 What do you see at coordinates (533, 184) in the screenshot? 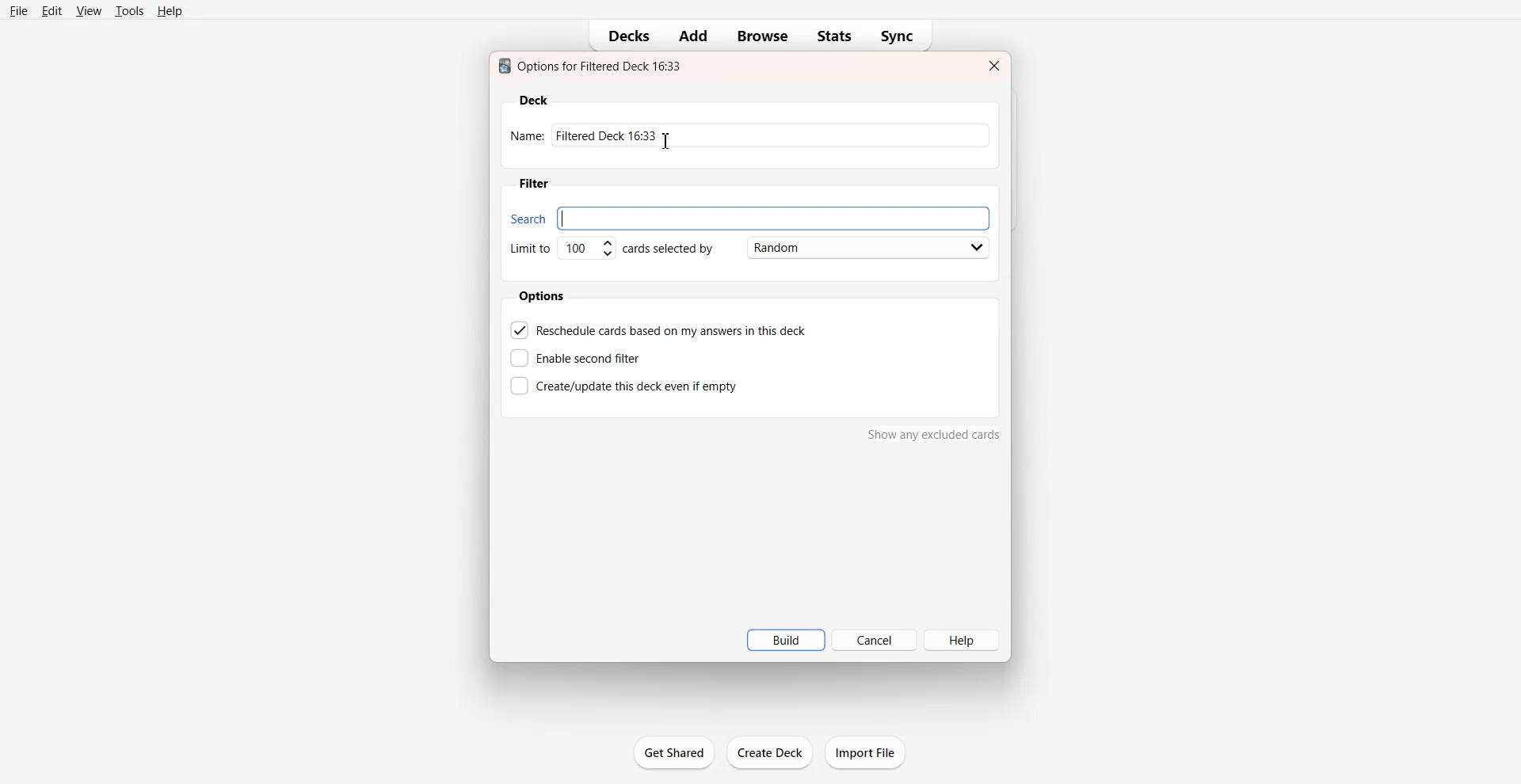
I see `Filter` at bounding box center [533, 184].